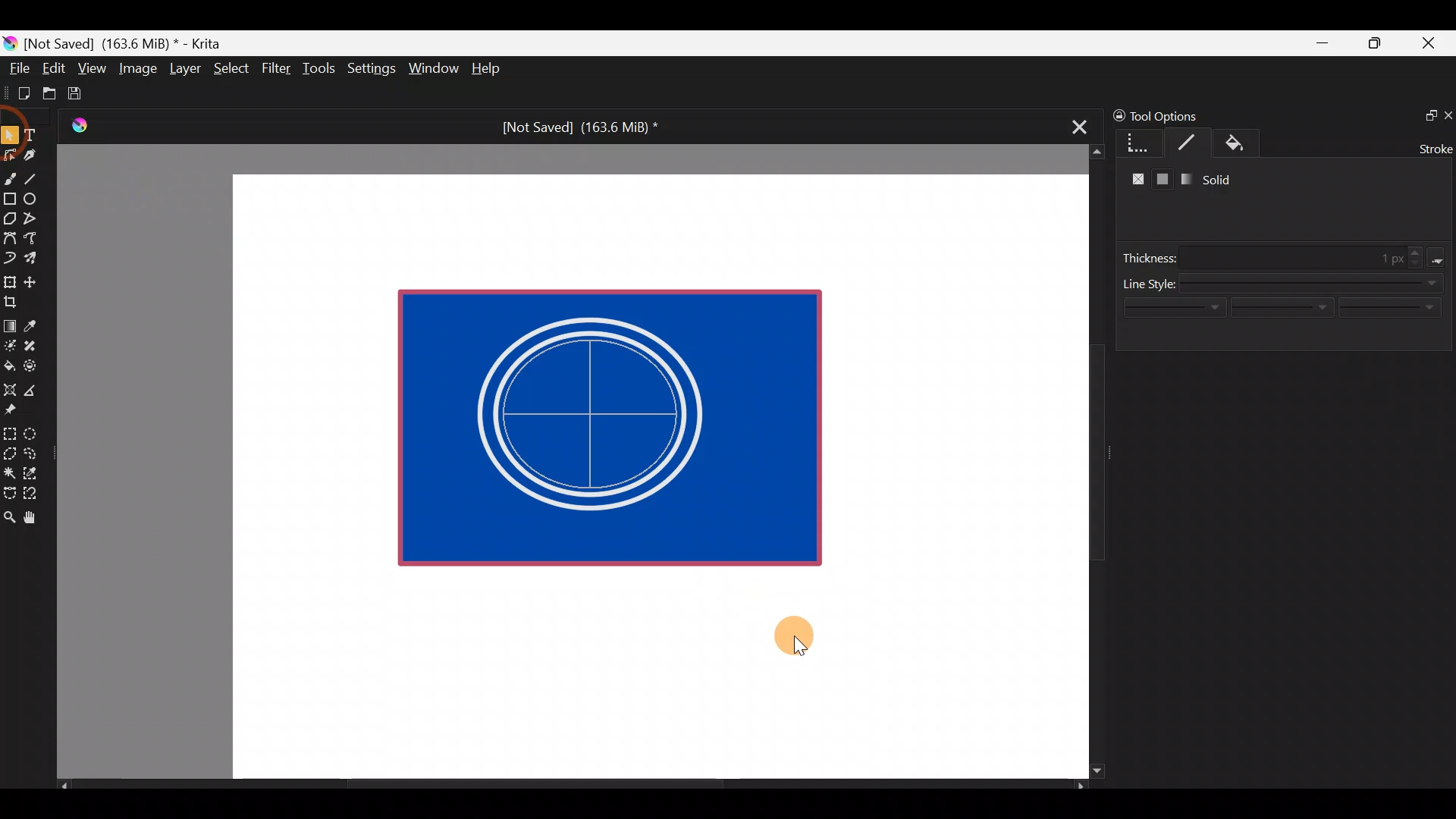  Describe the element at coordinates (93, 68) in the screenshot. I see `View` at that location.